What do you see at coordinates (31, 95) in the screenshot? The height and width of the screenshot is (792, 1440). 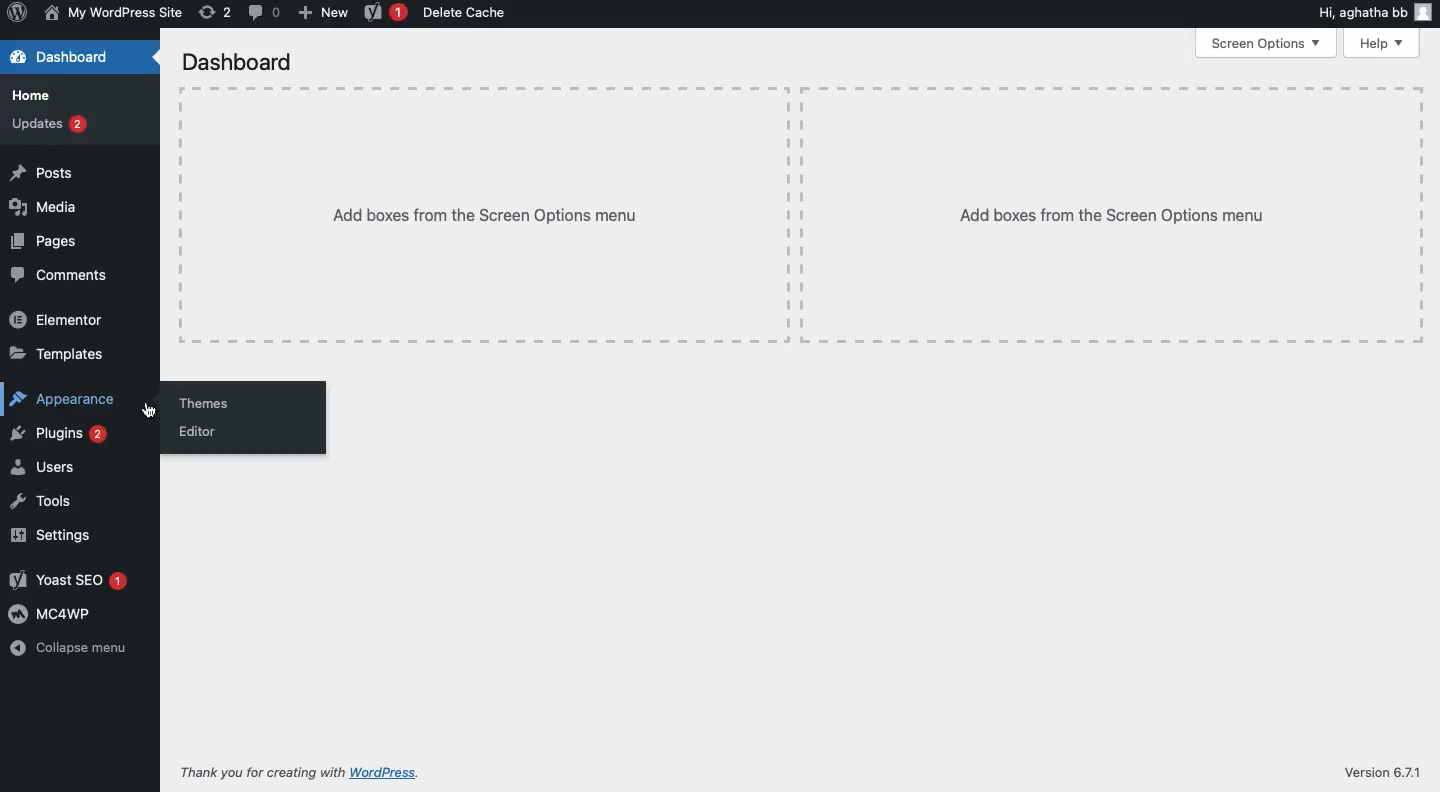 I see `Home` at bounding box center [31, 95].